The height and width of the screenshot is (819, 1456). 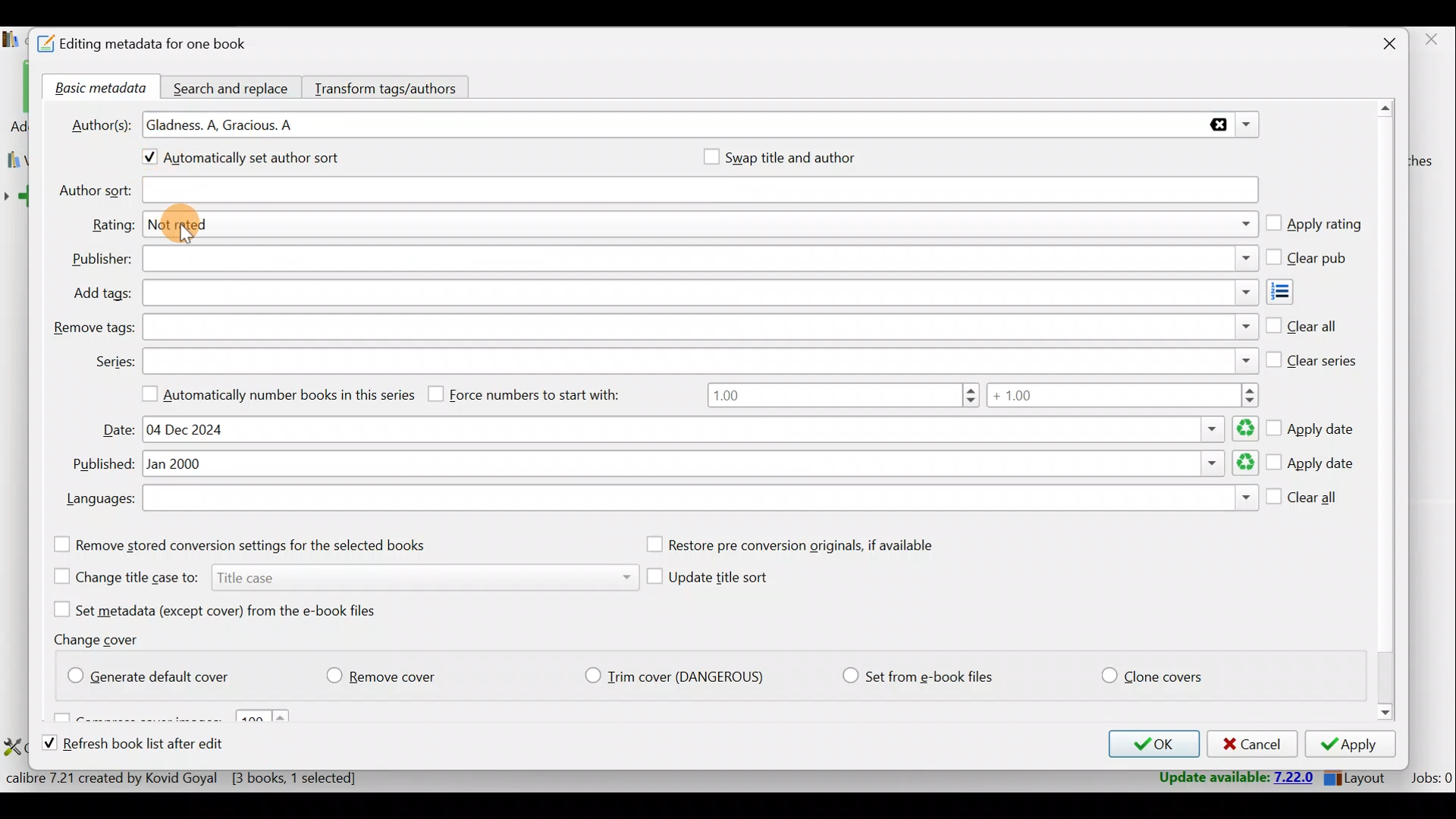 I want to click on Add tags, so click(x=1294, y=292).